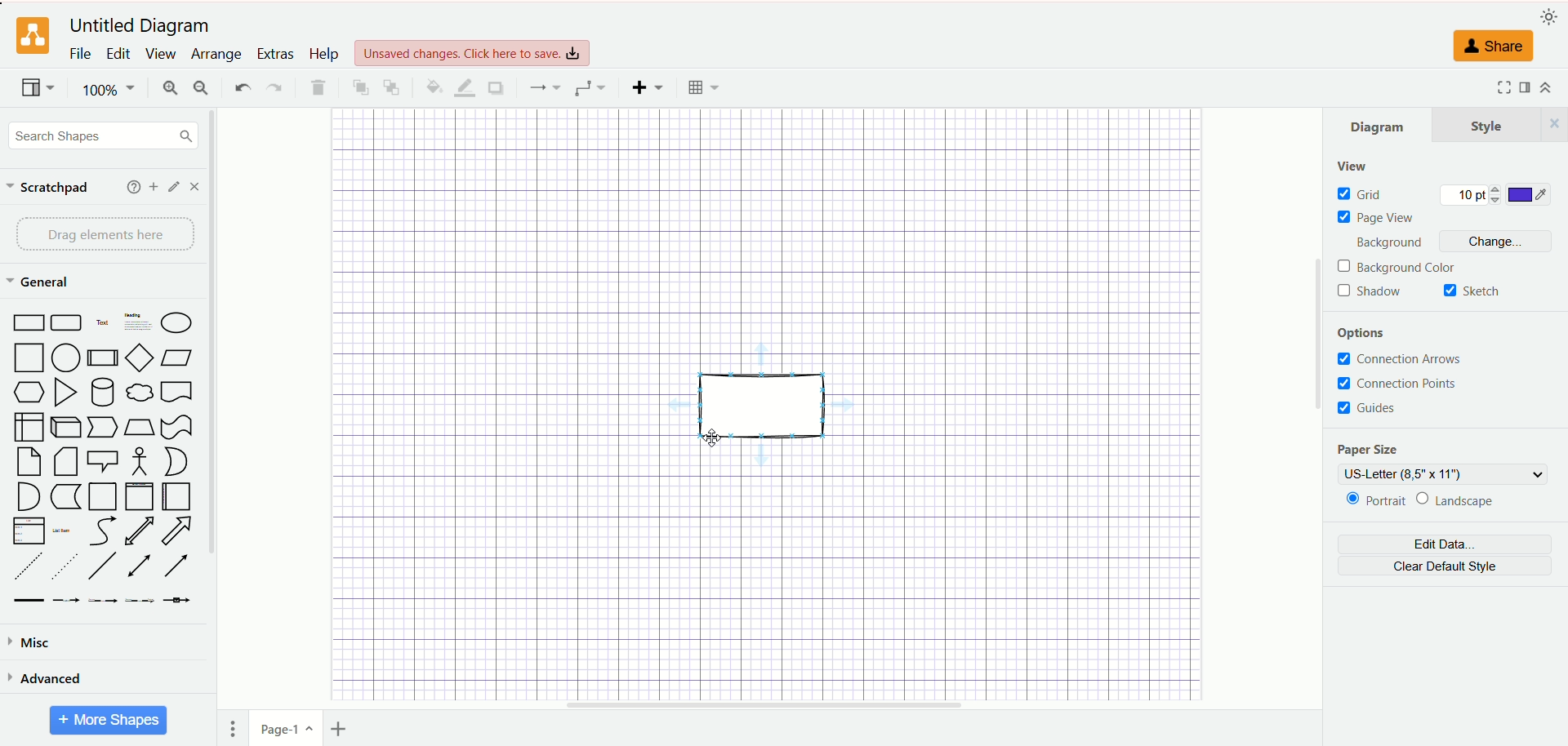  What do you see at coordinates (589, 87) in the screenshot?
I see `waypoint` at bounding box center [589, 87].